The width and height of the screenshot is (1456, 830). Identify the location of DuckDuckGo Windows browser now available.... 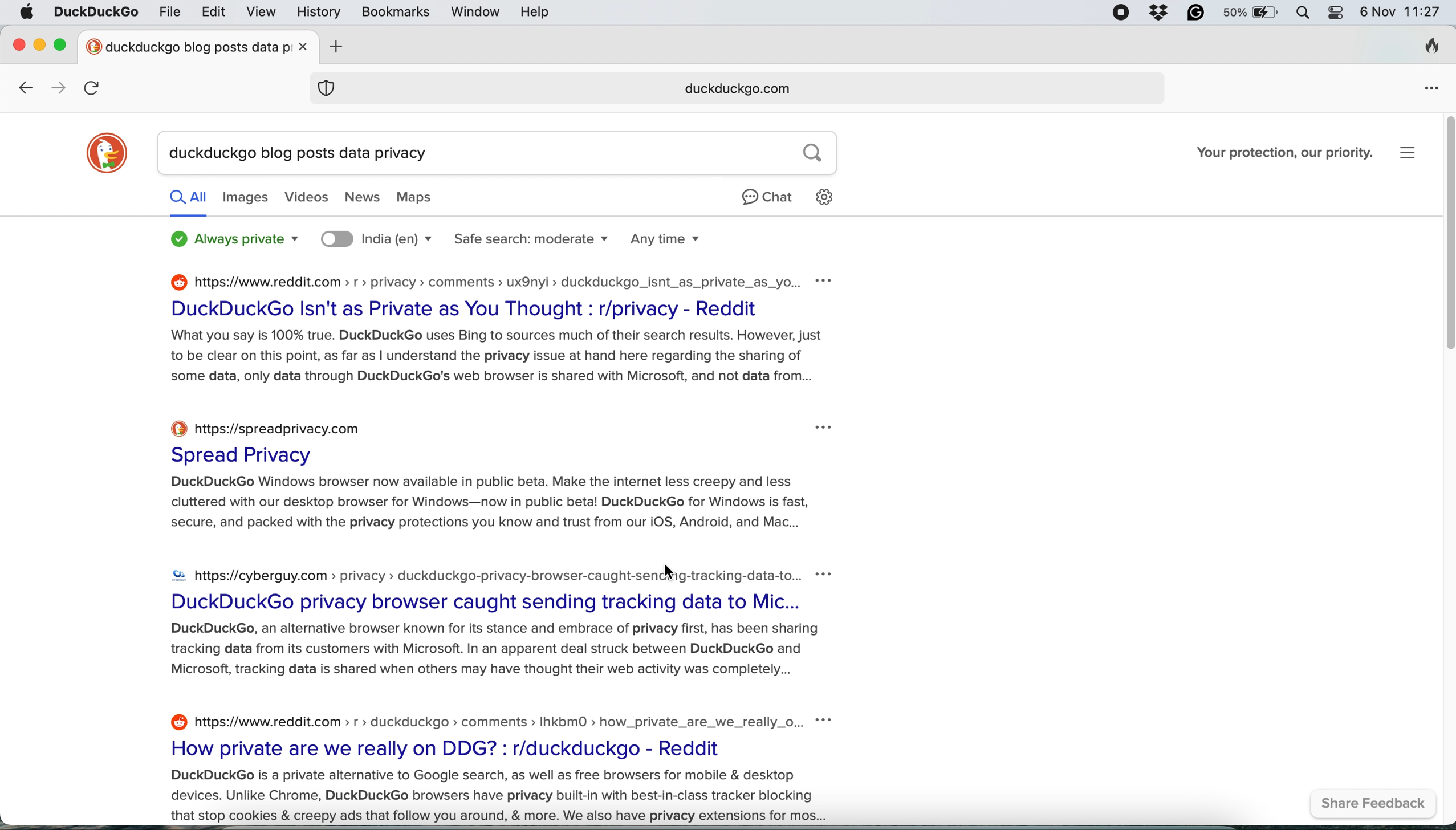
(486, 506).